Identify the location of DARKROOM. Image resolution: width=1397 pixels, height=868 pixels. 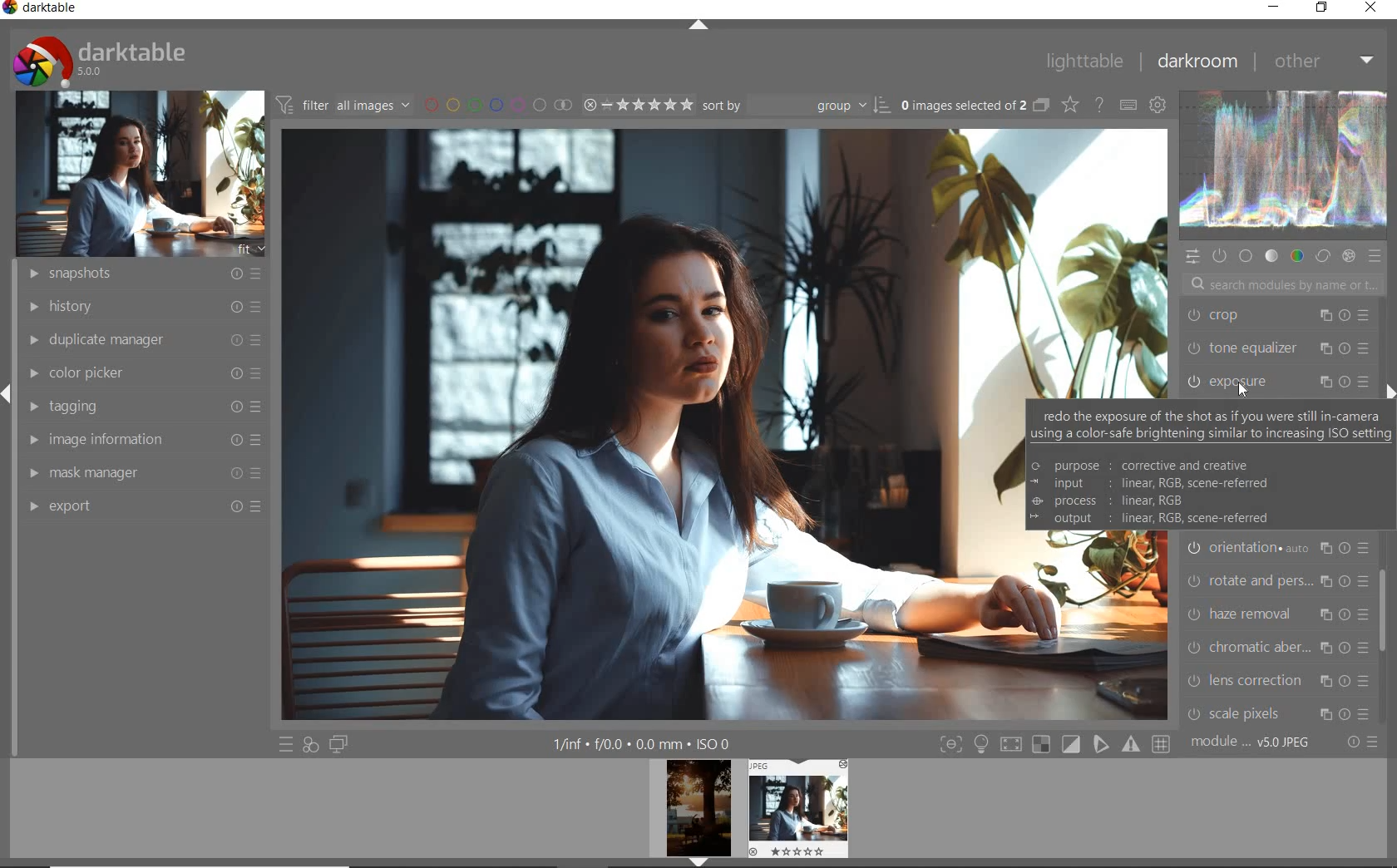
(1199, 61).